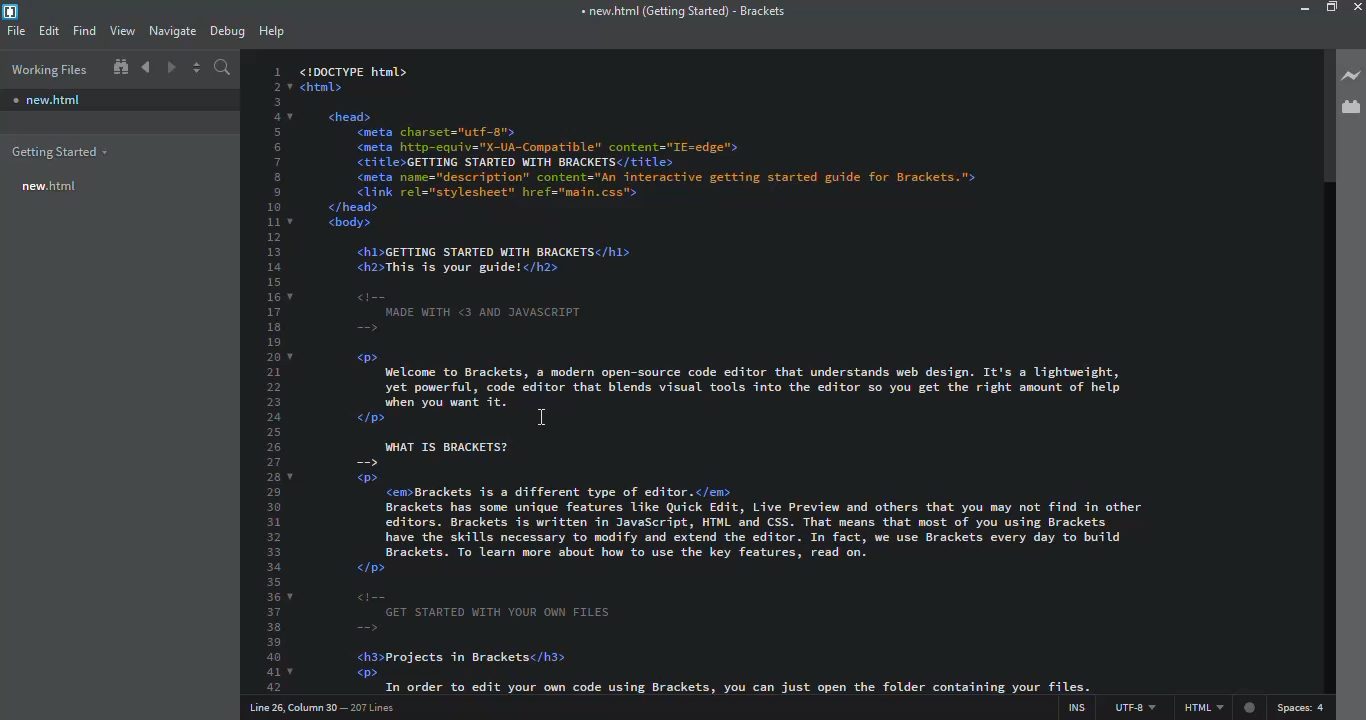 Image resolution: width=1366 pixels, height=720 pixels. Describe the element at coordinates (121, 67) in the screenshot. I see `show in file tree` at that location.